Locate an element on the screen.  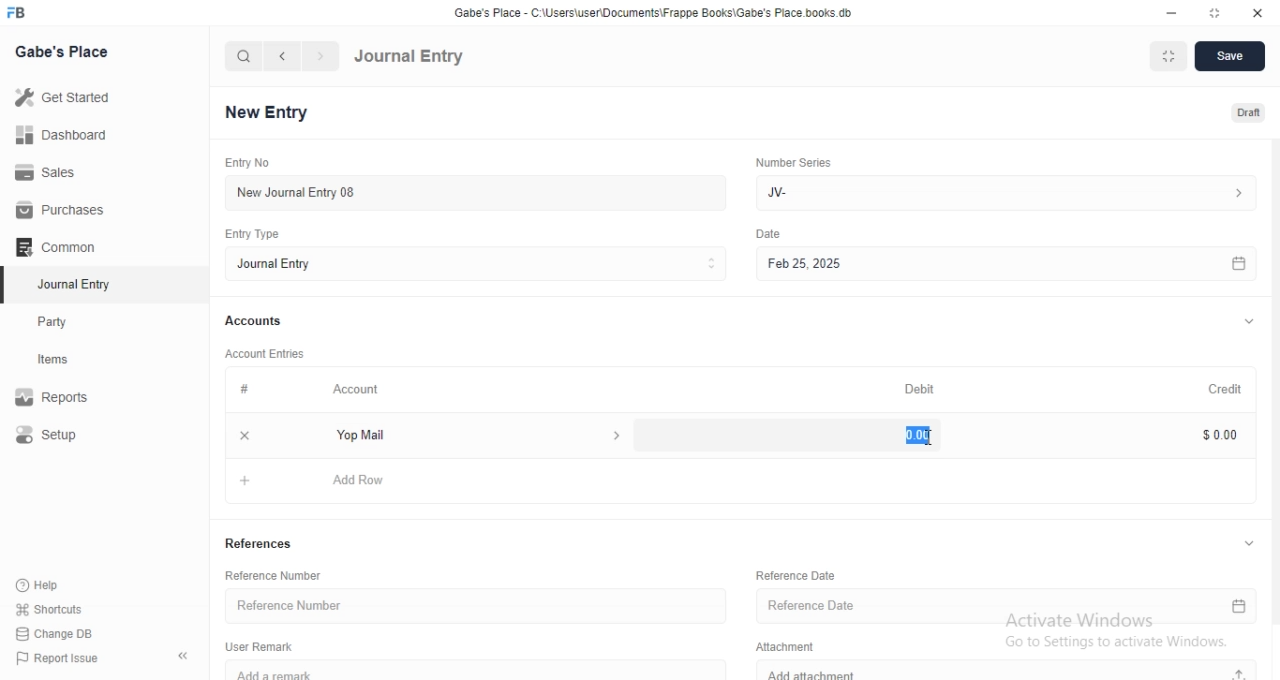
Get Started is located at coordinates (68, 101).